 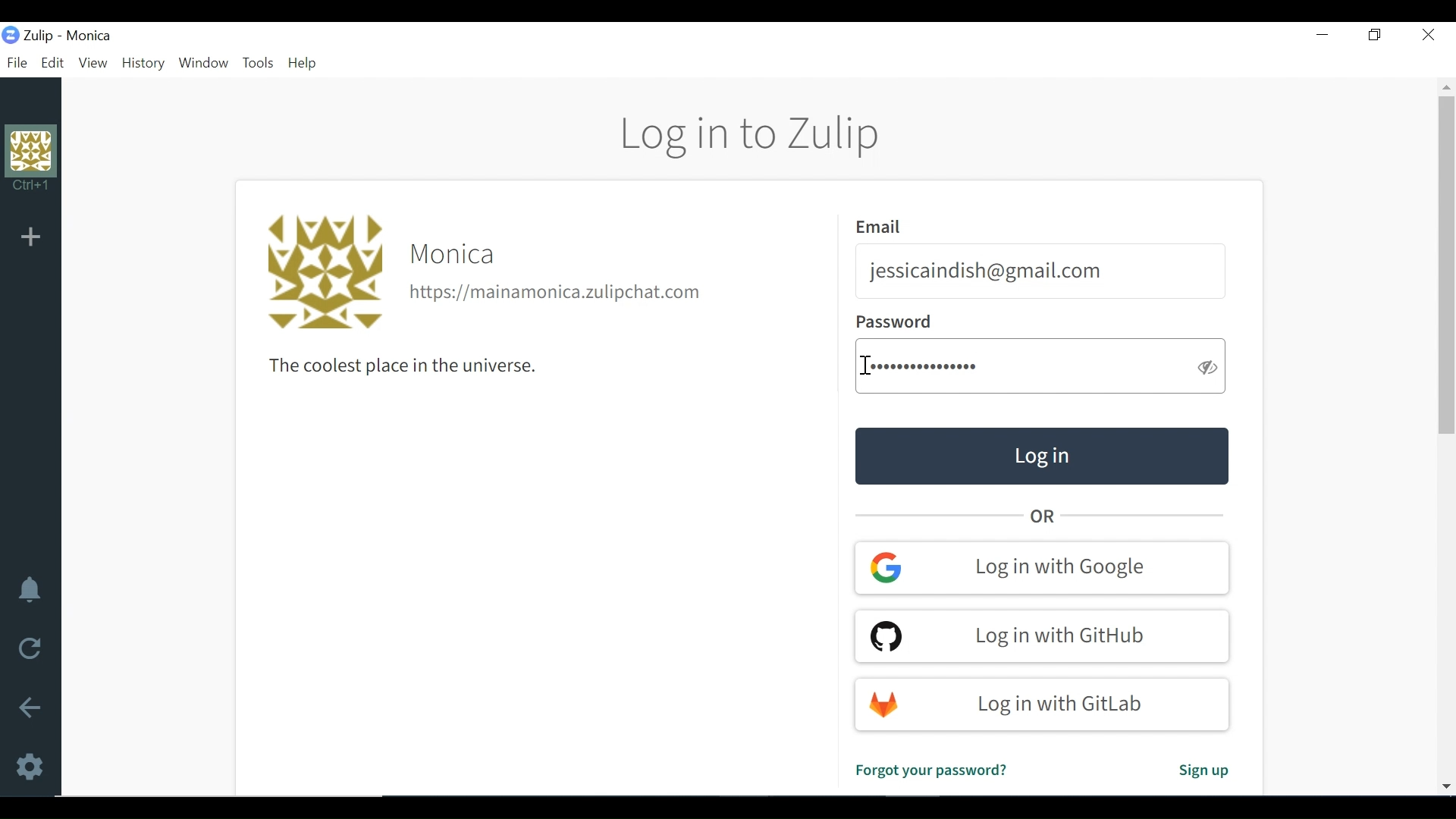 I want to click on Profile photo, so click(x=322, y=272).